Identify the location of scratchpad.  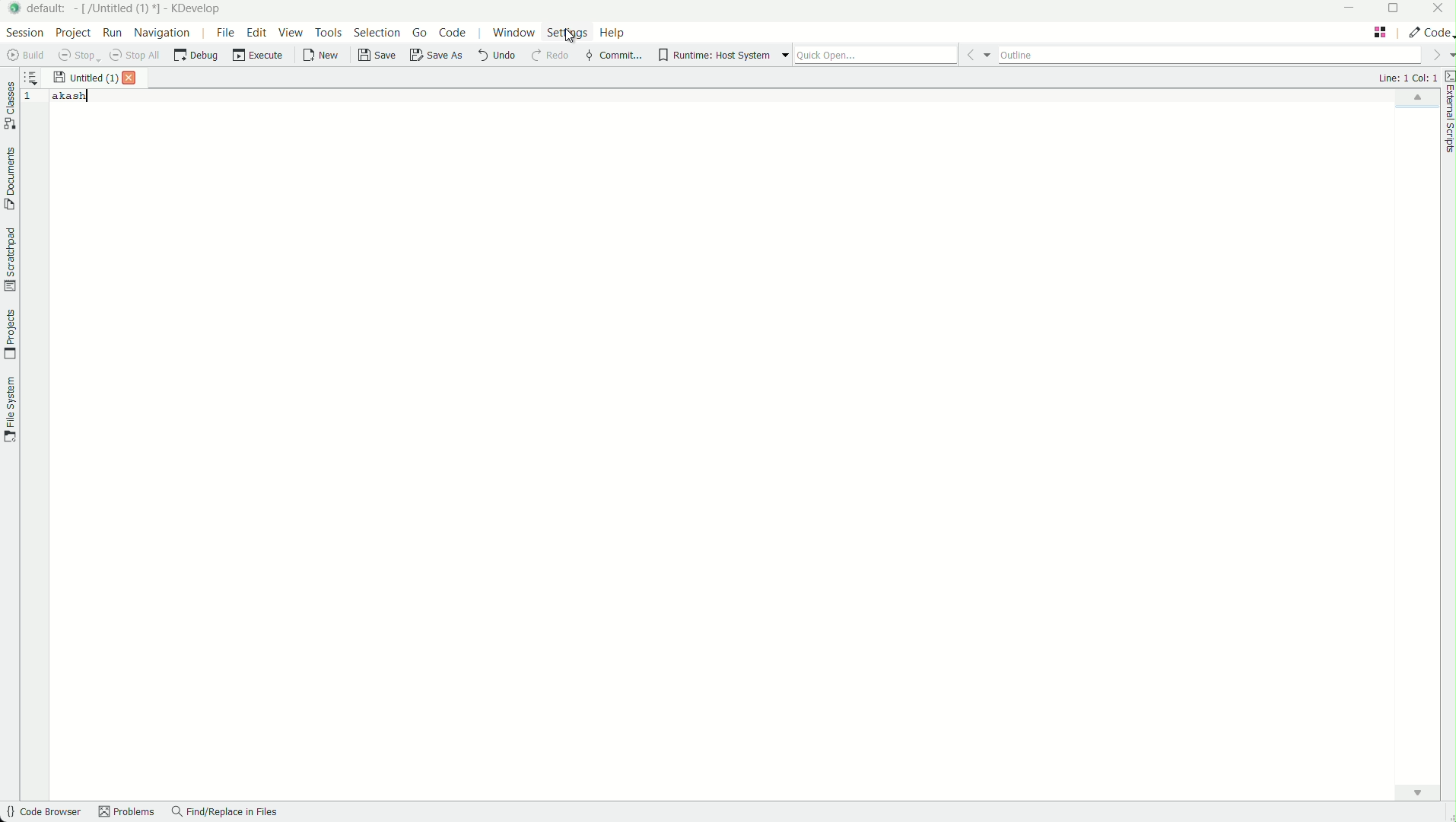
(9, 259).